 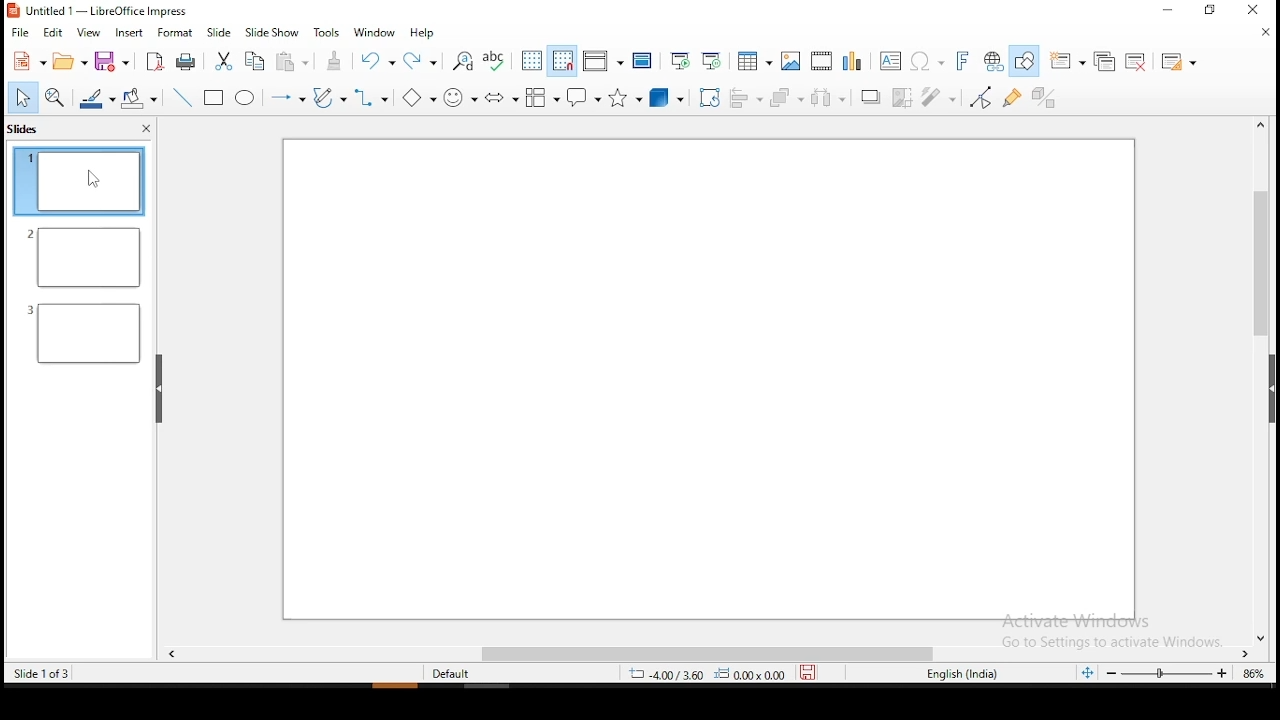 I want to click on toggle point edit mode, so click(x=984, y=95).